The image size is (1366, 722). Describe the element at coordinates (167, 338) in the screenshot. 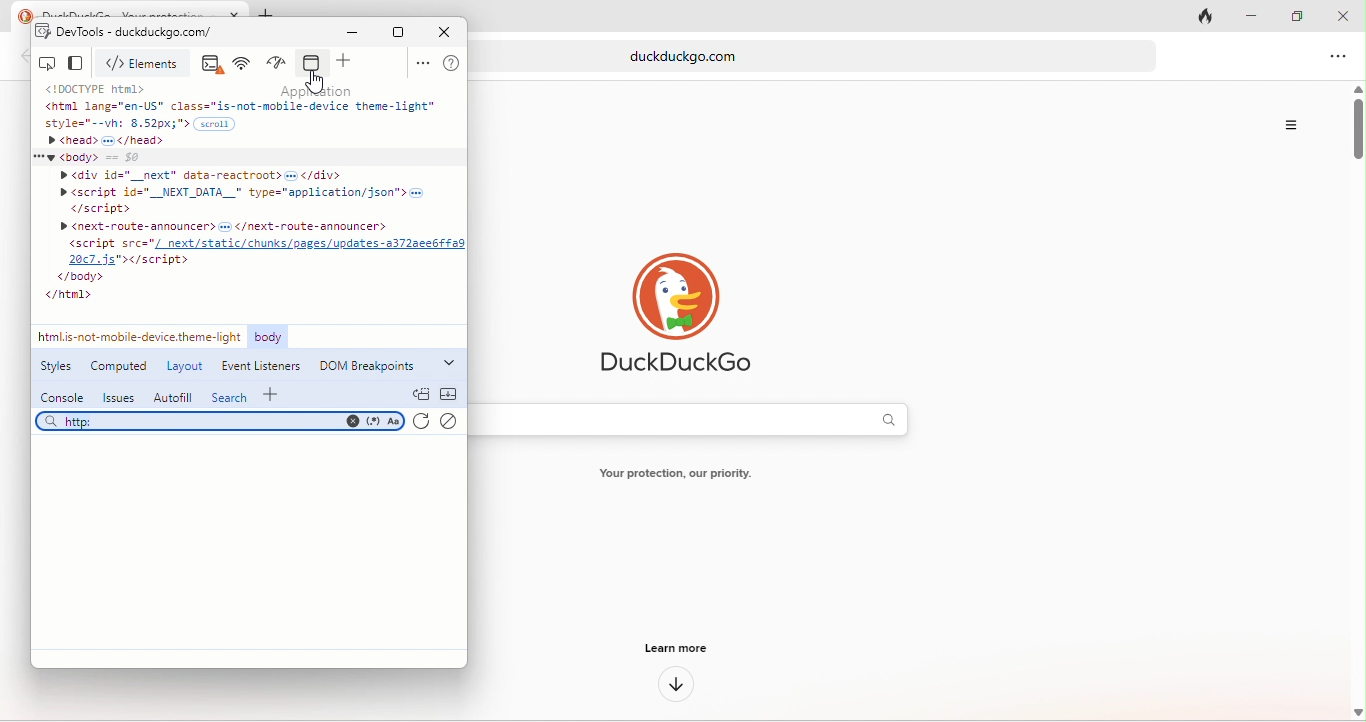

I see `link` at that location.